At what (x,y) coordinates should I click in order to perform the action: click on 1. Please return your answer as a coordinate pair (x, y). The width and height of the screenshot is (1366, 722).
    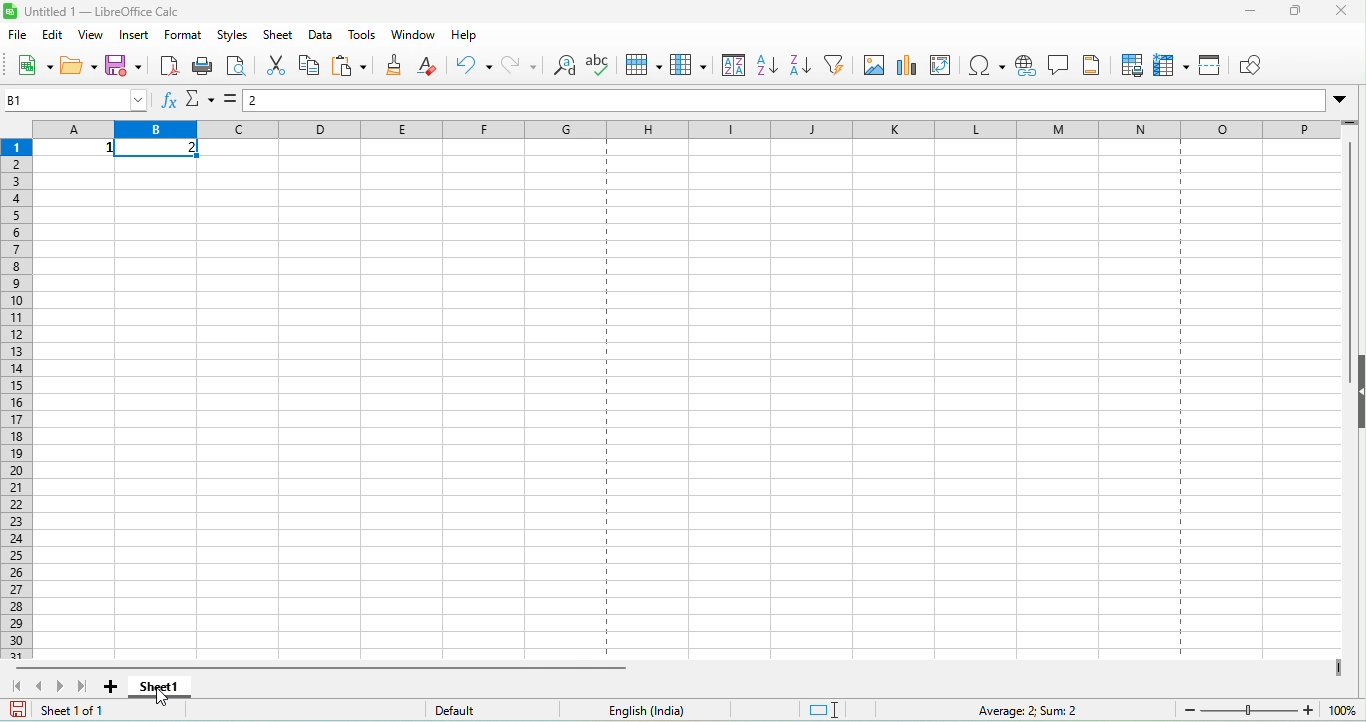
    Looking at the image, I should click on (76, 148).